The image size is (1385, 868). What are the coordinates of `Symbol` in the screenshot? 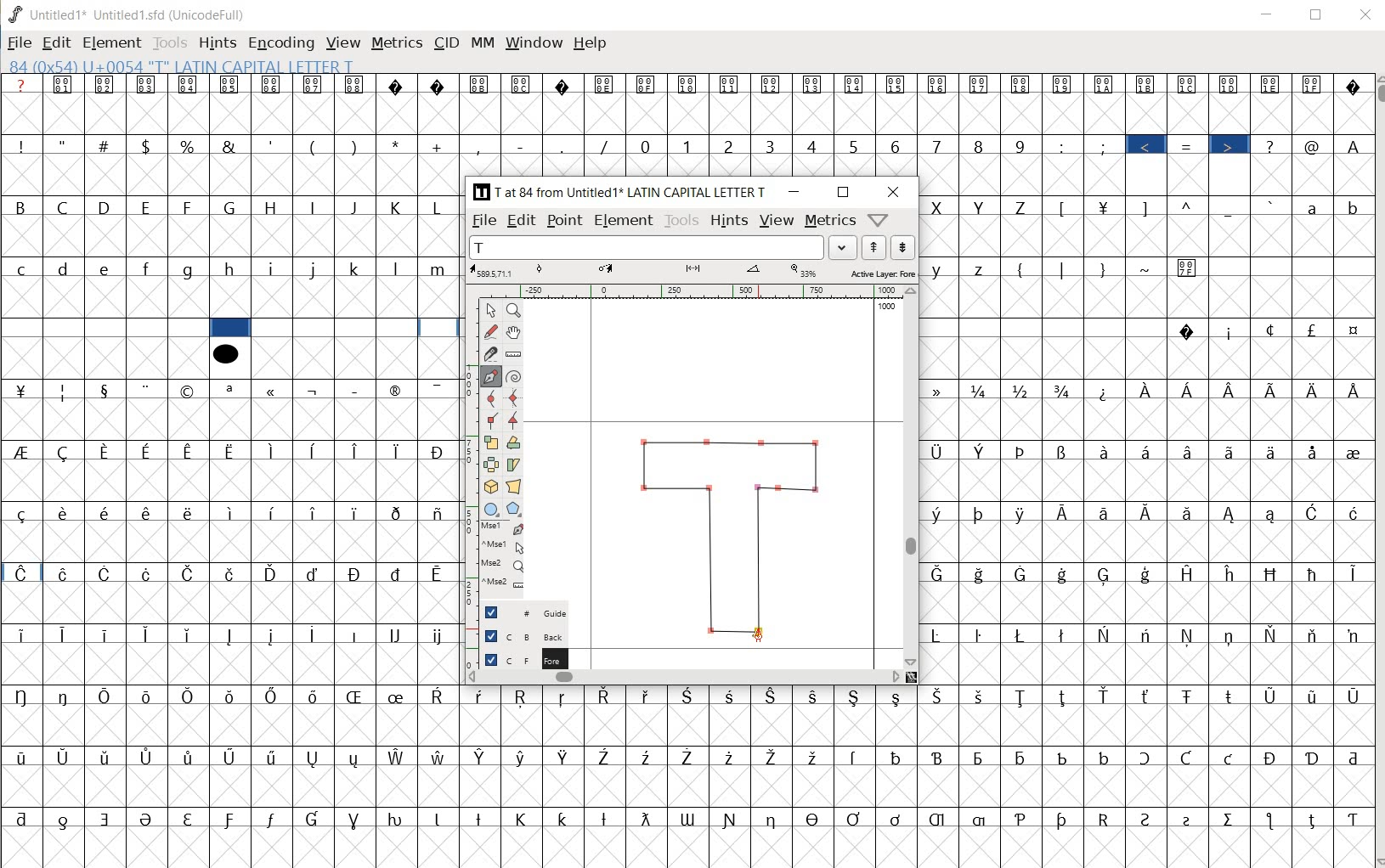 It's located at (193, 697).